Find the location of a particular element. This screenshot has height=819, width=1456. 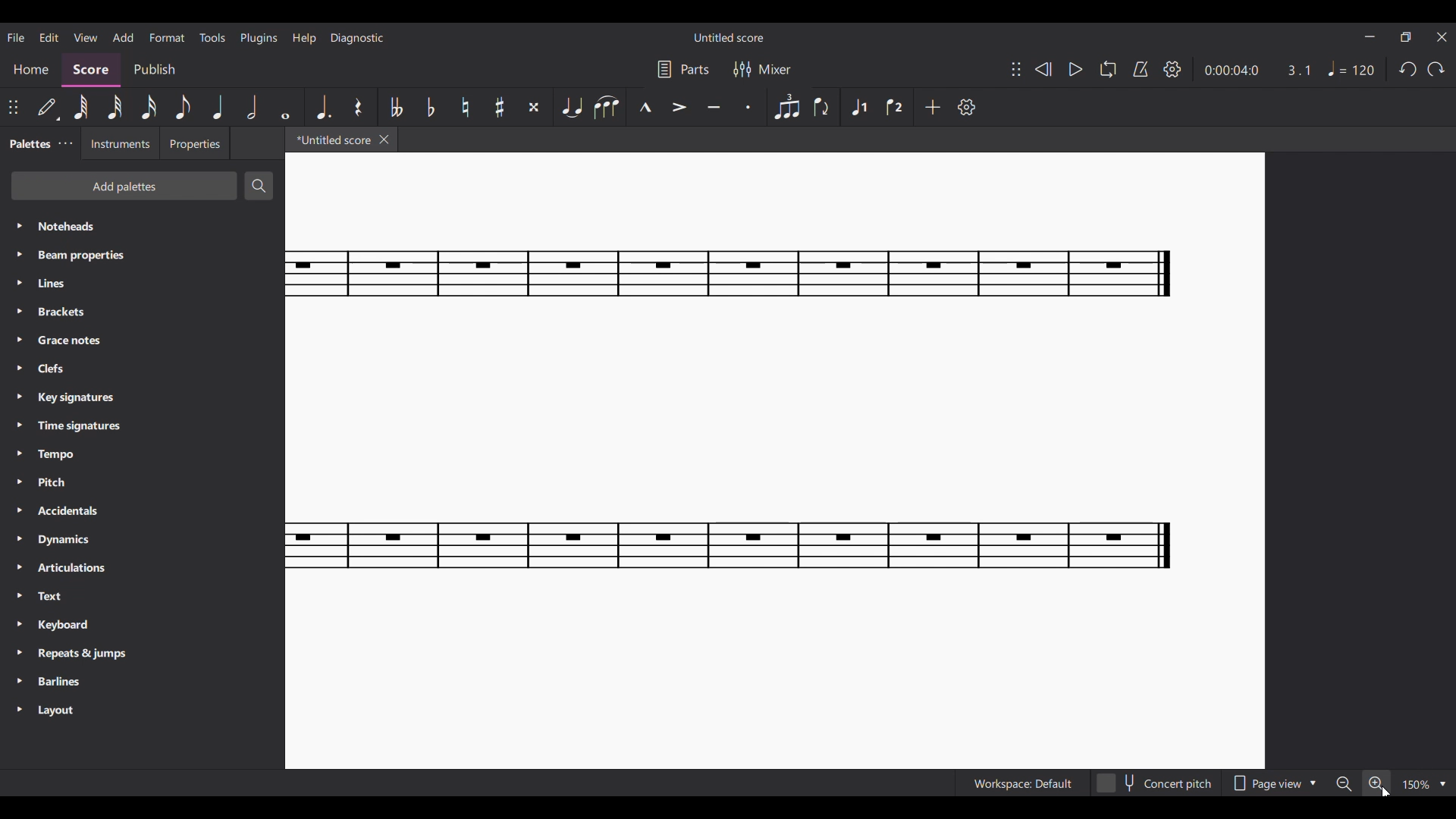

Cursor position unchanged is located at coordinates (1385, 791).